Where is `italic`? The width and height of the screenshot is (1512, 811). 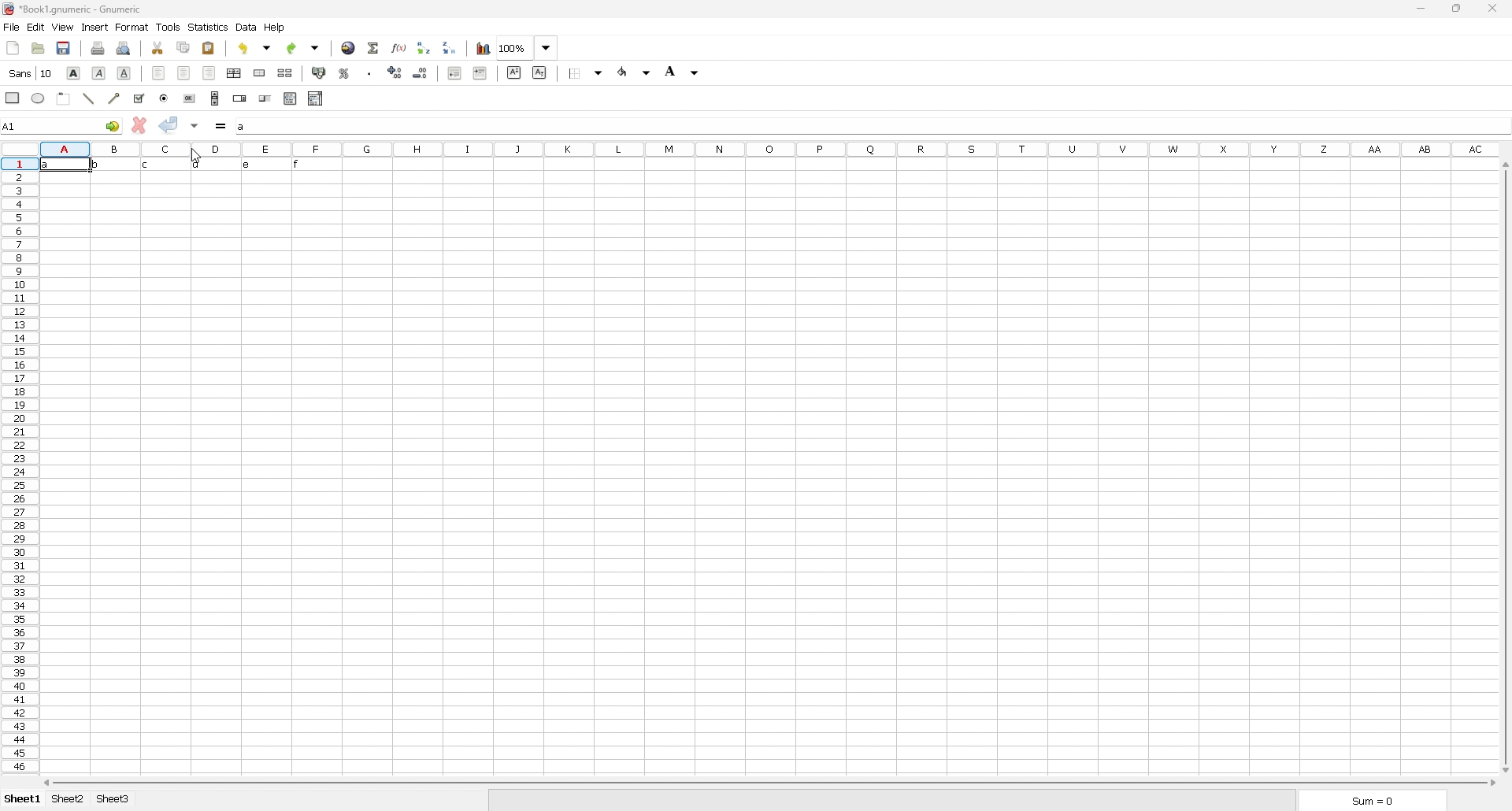
italic is located at coordinates (99, 72).